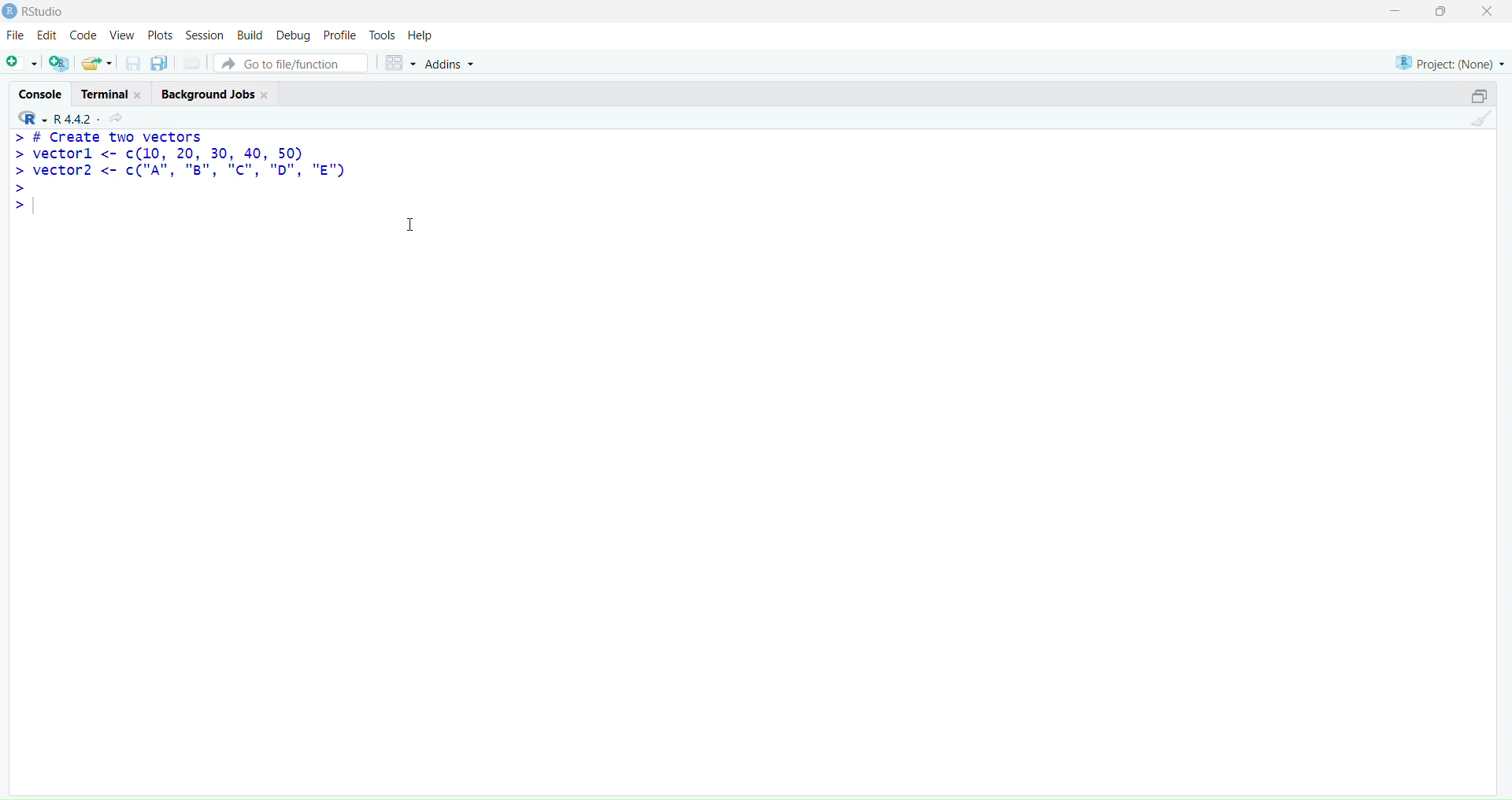  What do you see at coordinates (1395, 12) in the screenshot?
I see `Minimize` at bounding box center [1395, 12].